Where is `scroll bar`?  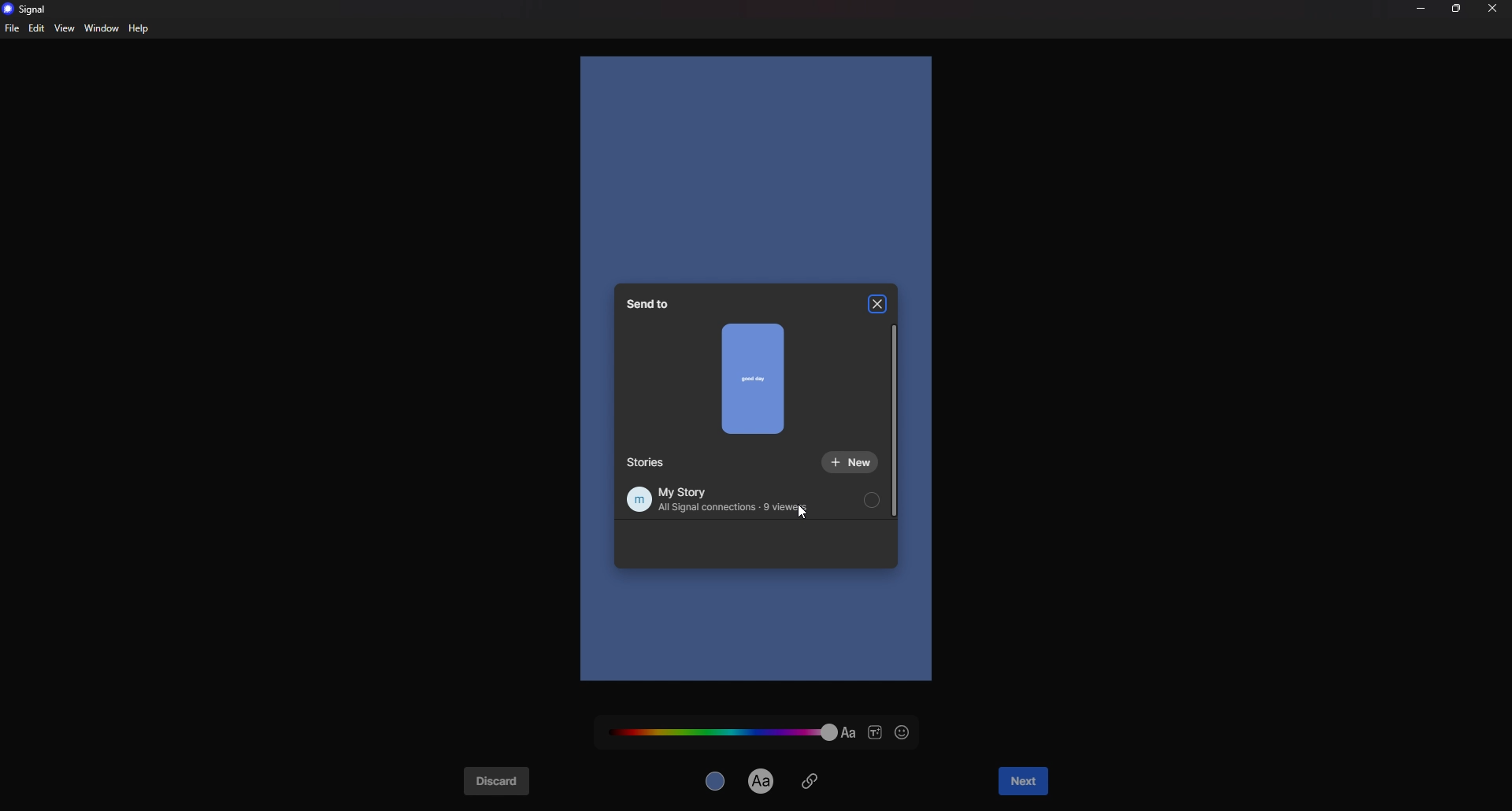 scroll bar is located at coordinates (893, 420).